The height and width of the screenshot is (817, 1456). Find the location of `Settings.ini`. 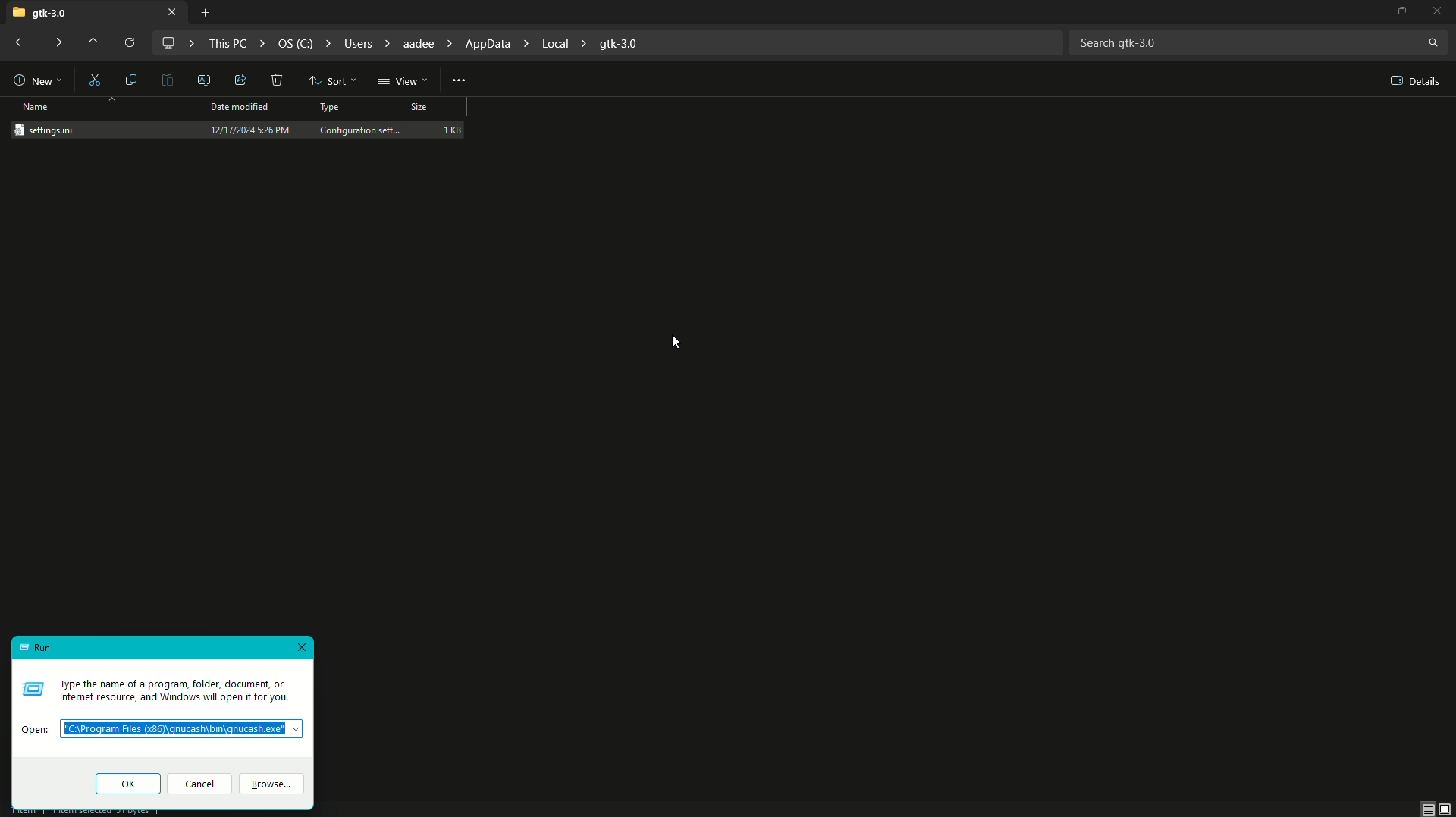

Settings.ini is located at coordinates (53, 130).